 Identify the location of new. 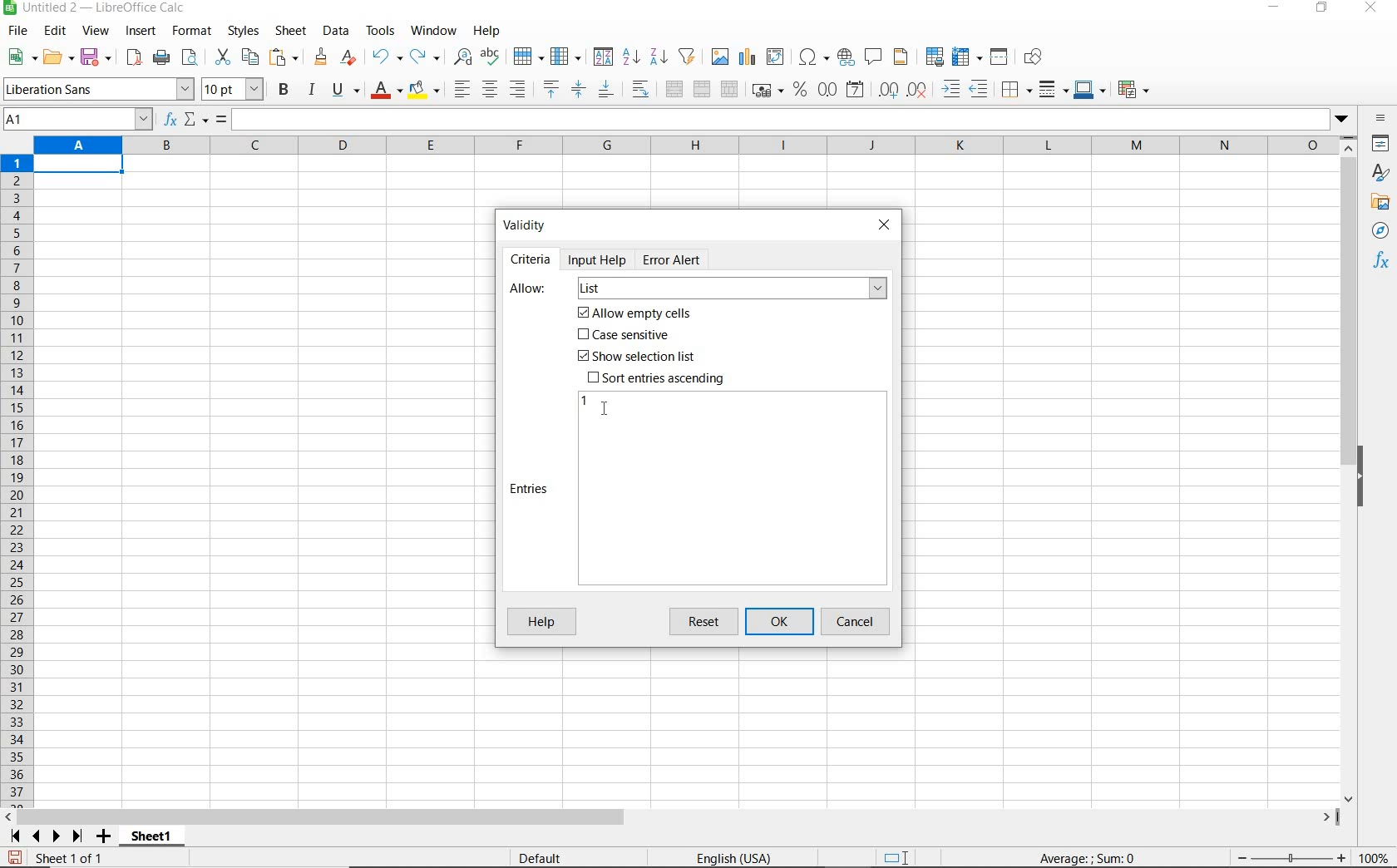
(22, 57).